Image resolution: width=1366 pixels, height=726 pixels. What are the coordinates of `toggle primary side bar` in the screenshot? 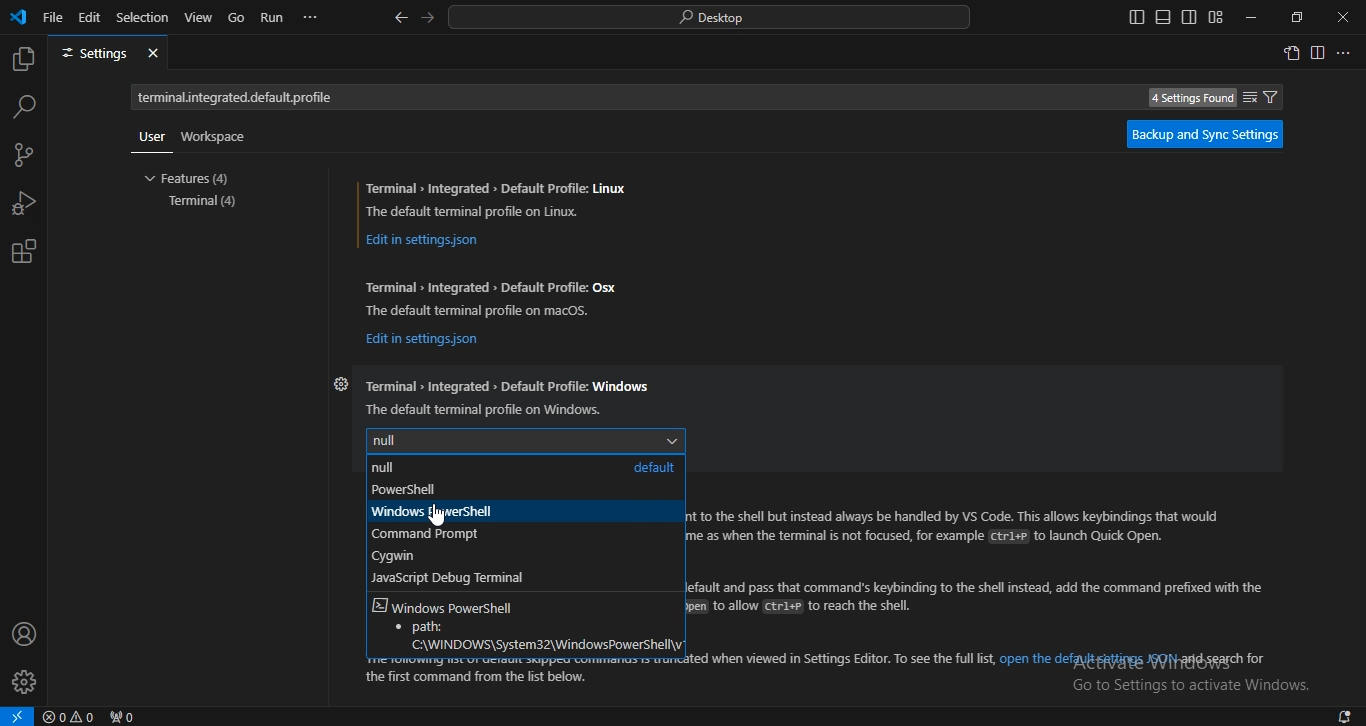 It's located at (1137, 17).